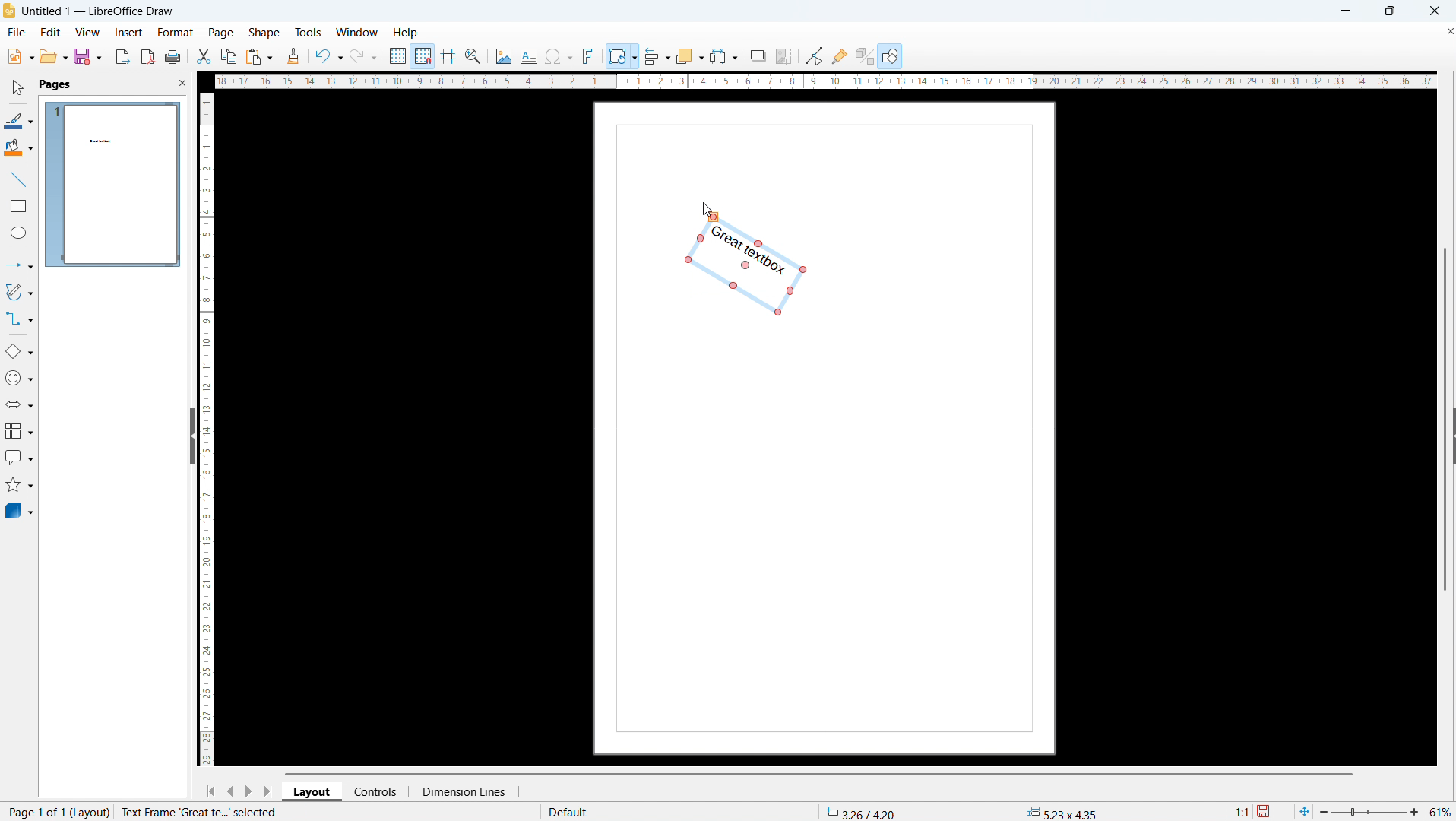  What do you see at coordinates (1242, 810) in the screenshot?
I see `Scaling factor ` at bounding box center [1242, 810].